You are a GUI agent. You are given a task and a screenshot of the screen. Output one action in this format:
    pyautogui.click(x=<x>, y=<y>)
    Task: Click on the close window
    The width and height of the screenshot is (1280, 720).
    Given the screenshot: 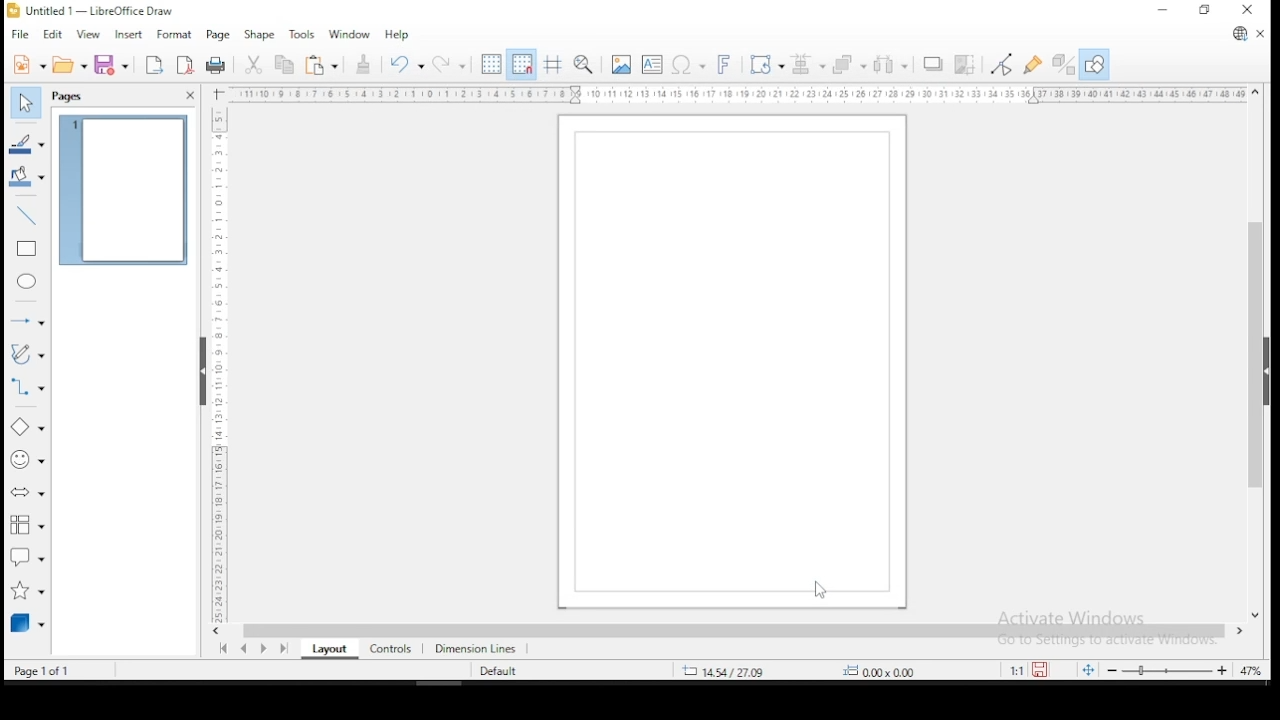 What is the action you would take?
    pyautogui.click(x=1250, y=12)
    